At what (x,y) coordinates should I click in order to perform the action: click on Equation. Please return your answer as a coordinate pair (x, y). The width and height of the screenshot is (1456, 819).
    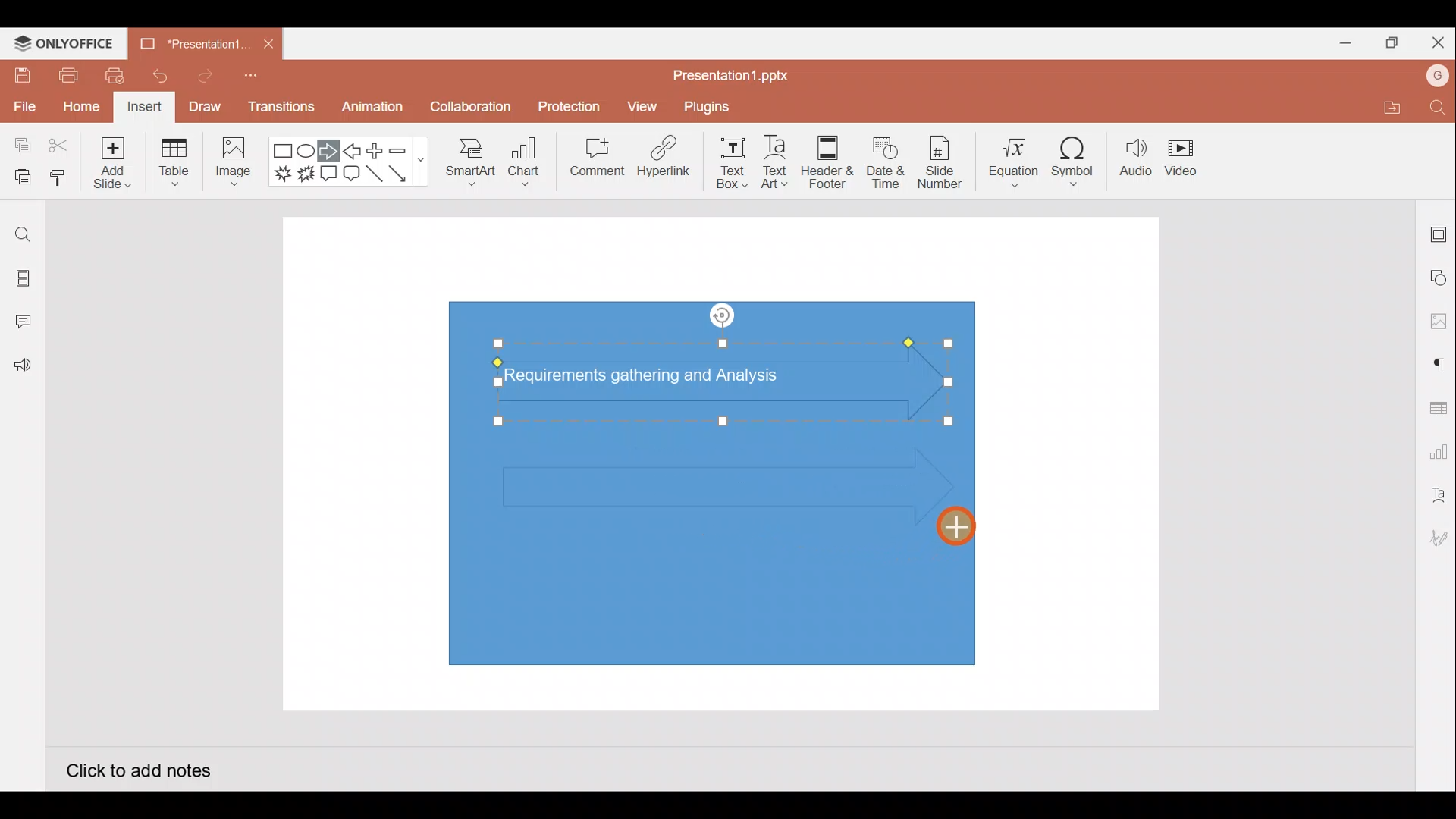
    Looking at the image, I should click on (1015, 157).